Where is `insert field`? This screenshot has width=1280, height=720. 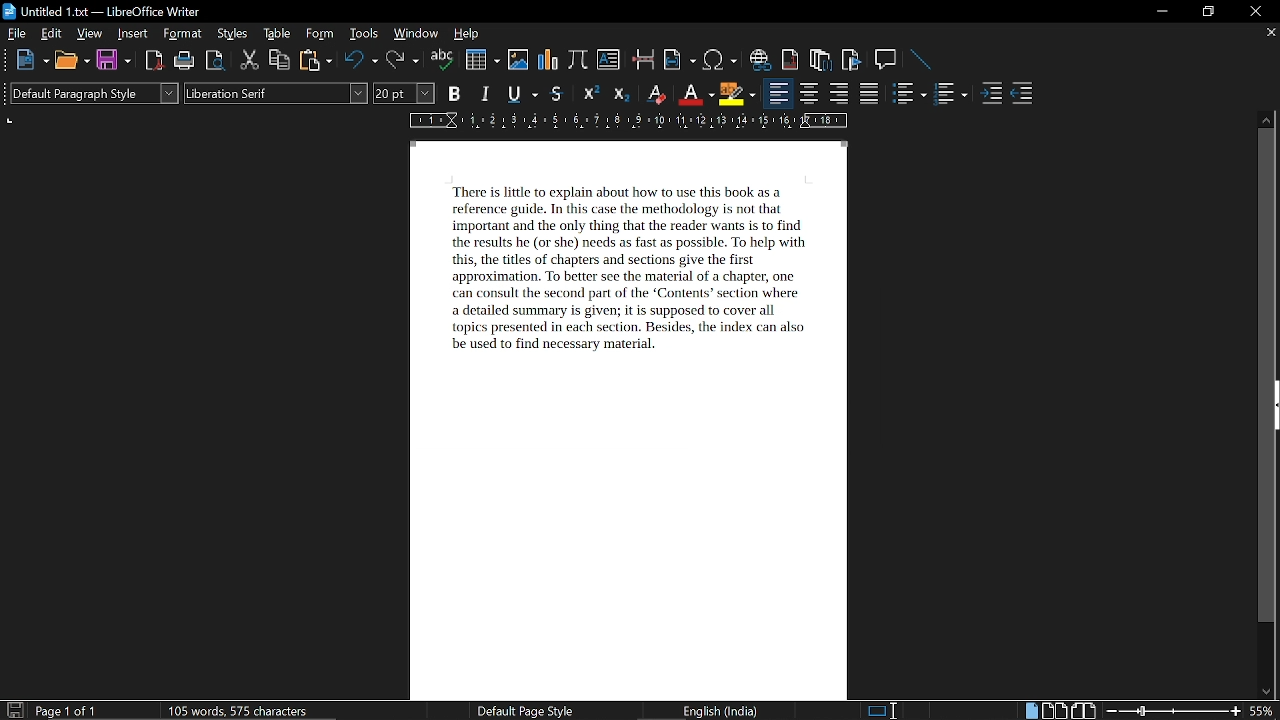 insert field is located at coordinates (679, 60).